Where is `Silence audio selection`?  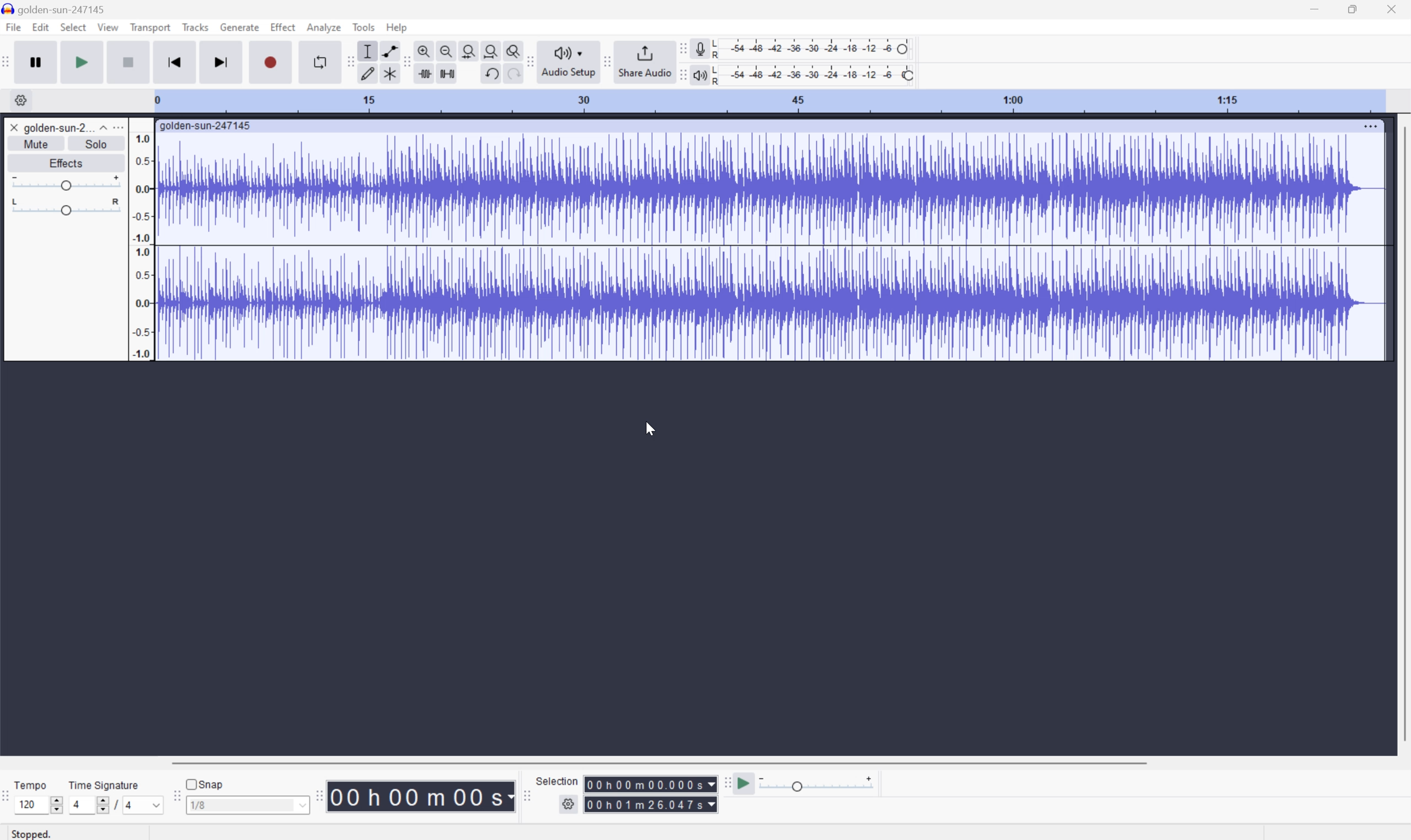 Silence audio selection is located at coordinates (447, 74).